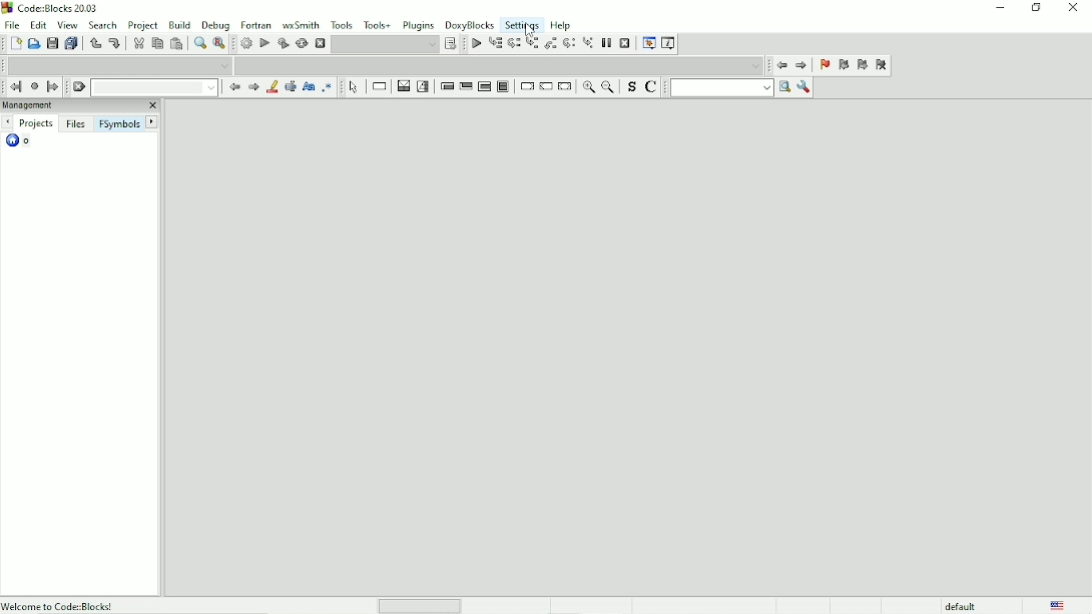 The image size is (1092, 614). I want to click on Plugins, so click(419, 26).